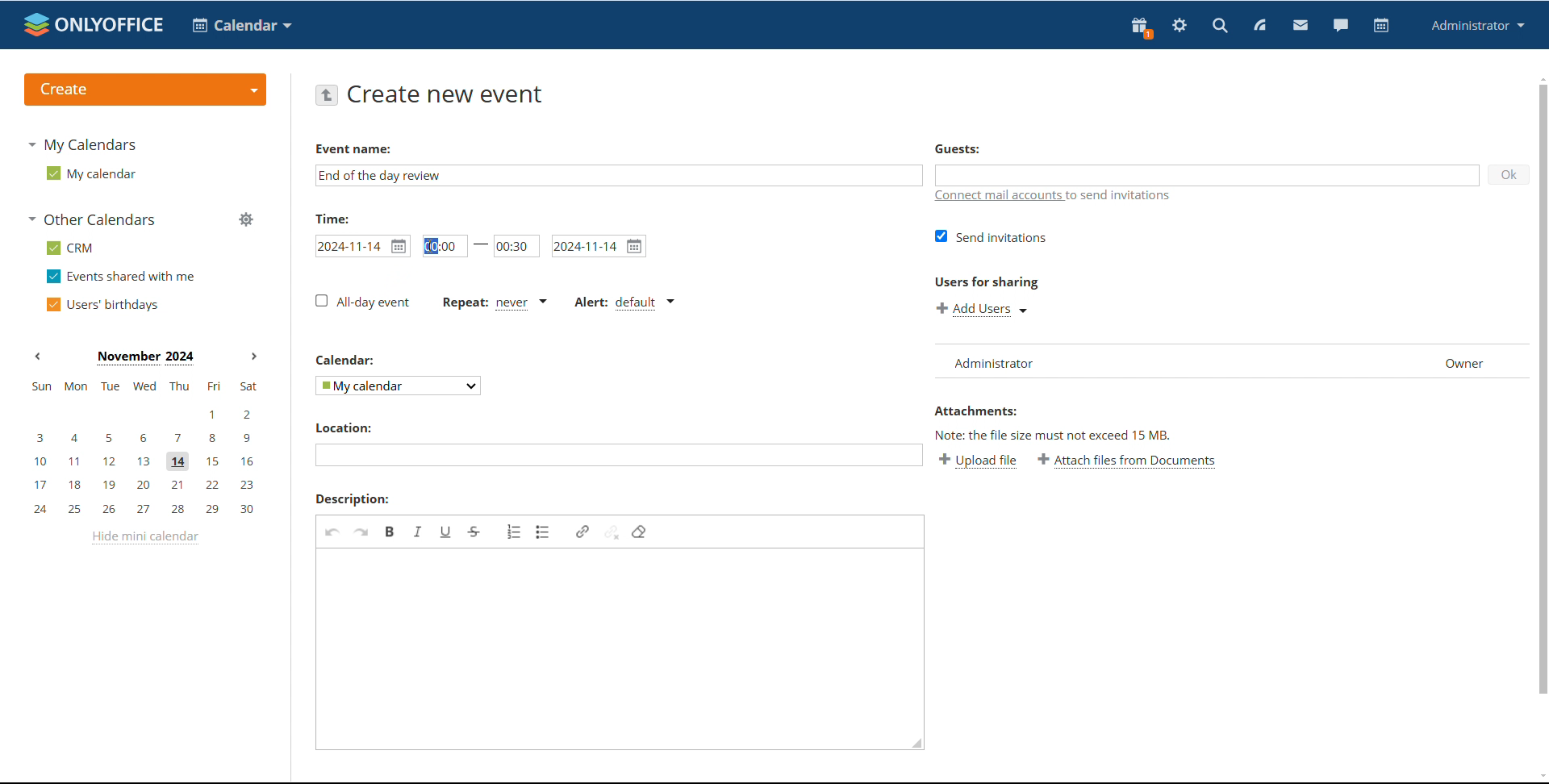  I want to click on remove format, so click(639, 532).